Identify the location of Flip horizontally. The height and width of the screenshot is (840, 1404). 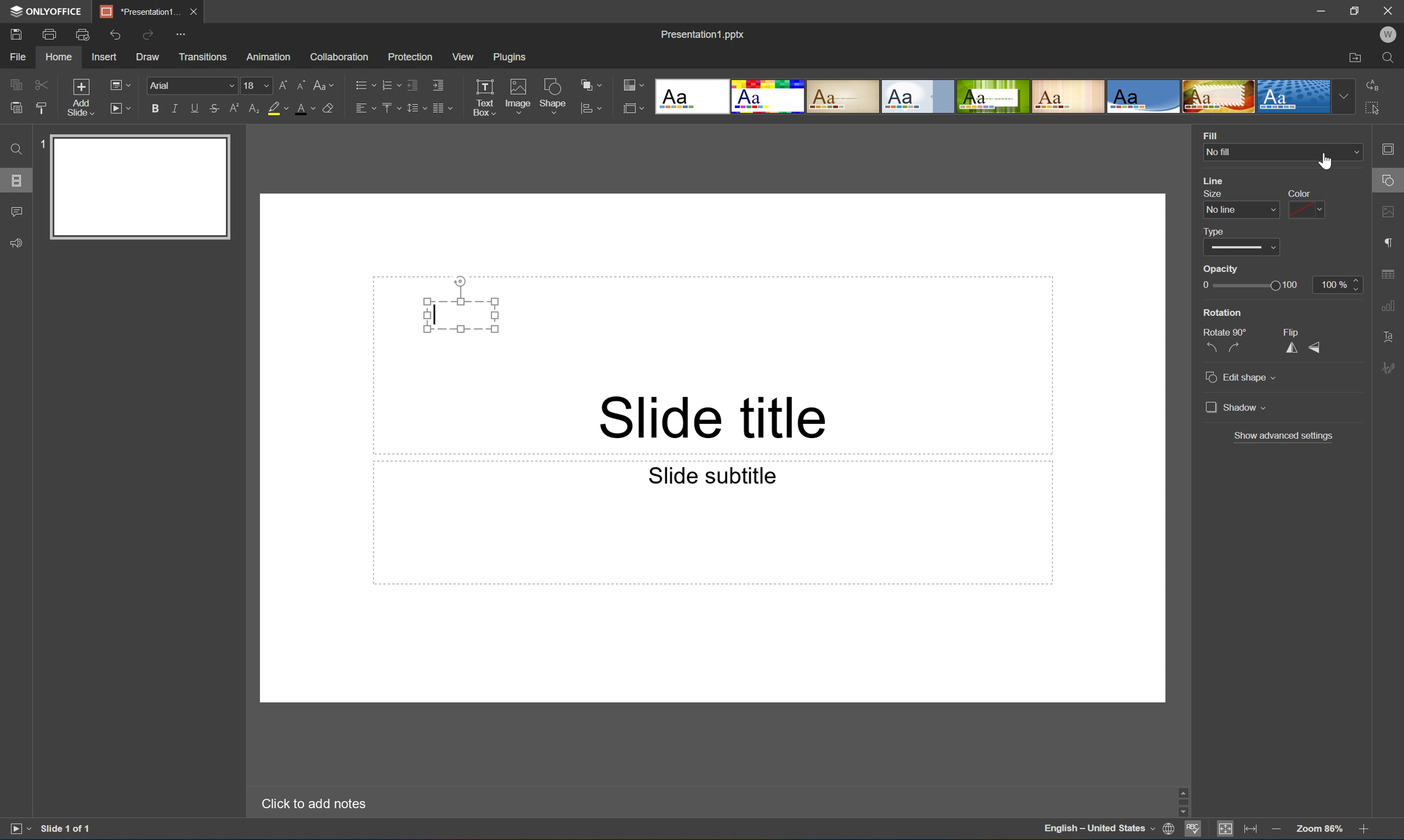
(1291, 349).